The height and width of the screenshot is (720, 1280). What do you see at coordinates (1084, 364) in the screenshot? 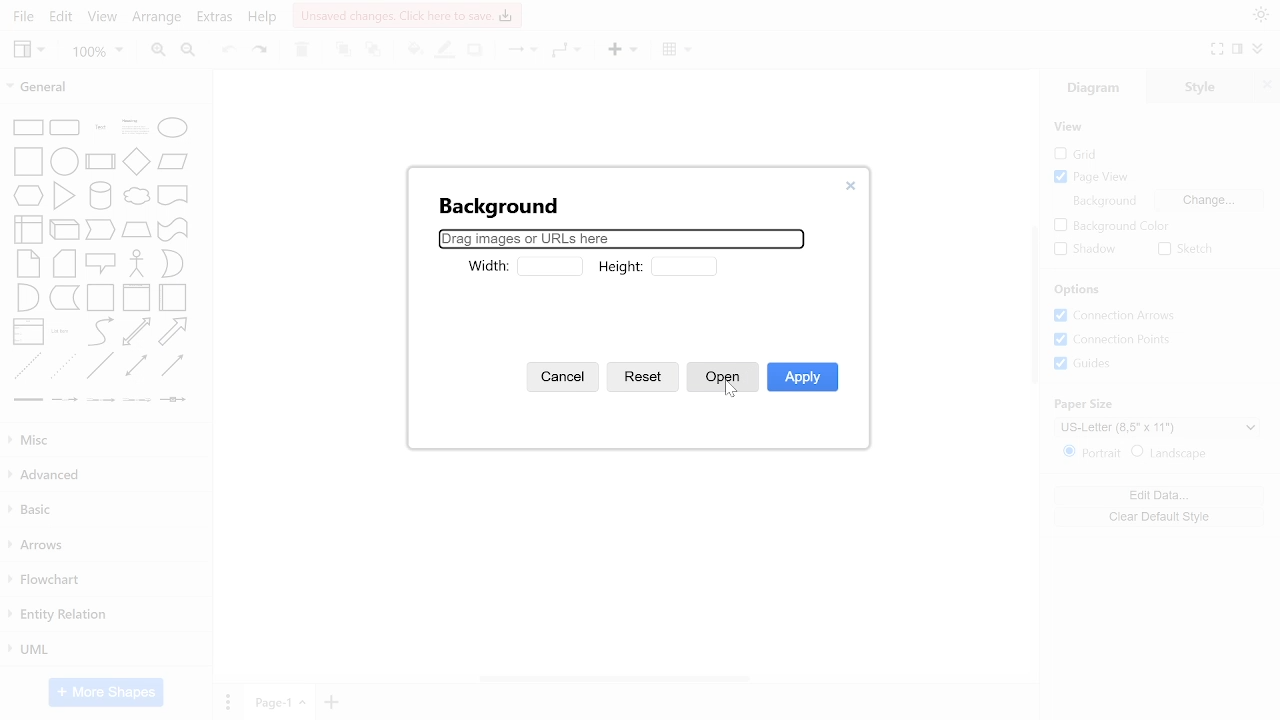
I see `guides` at bounding box center [1084, 364].